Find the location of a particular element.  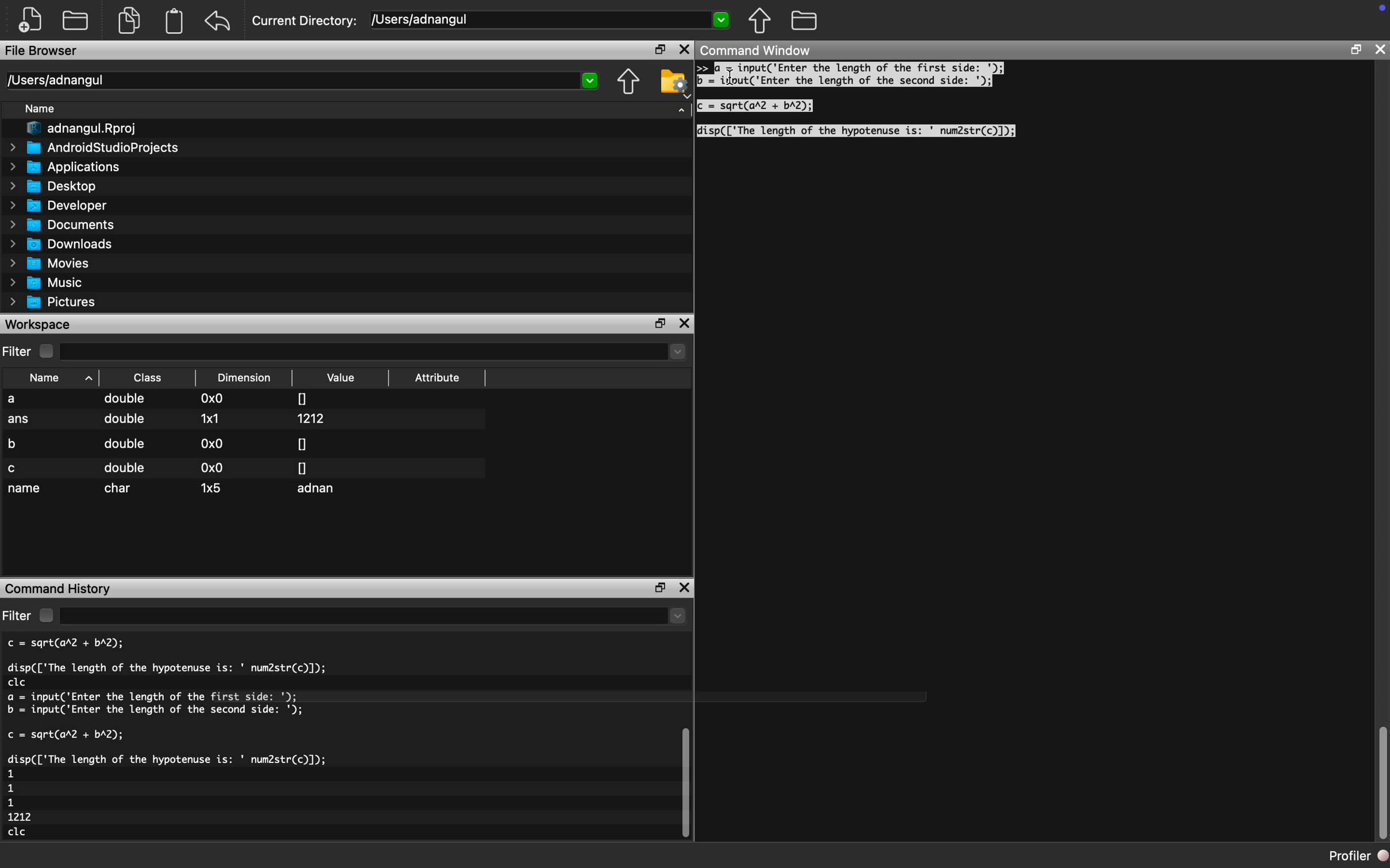

I" adnangul.Rproj is located at coordinates (89, 129).